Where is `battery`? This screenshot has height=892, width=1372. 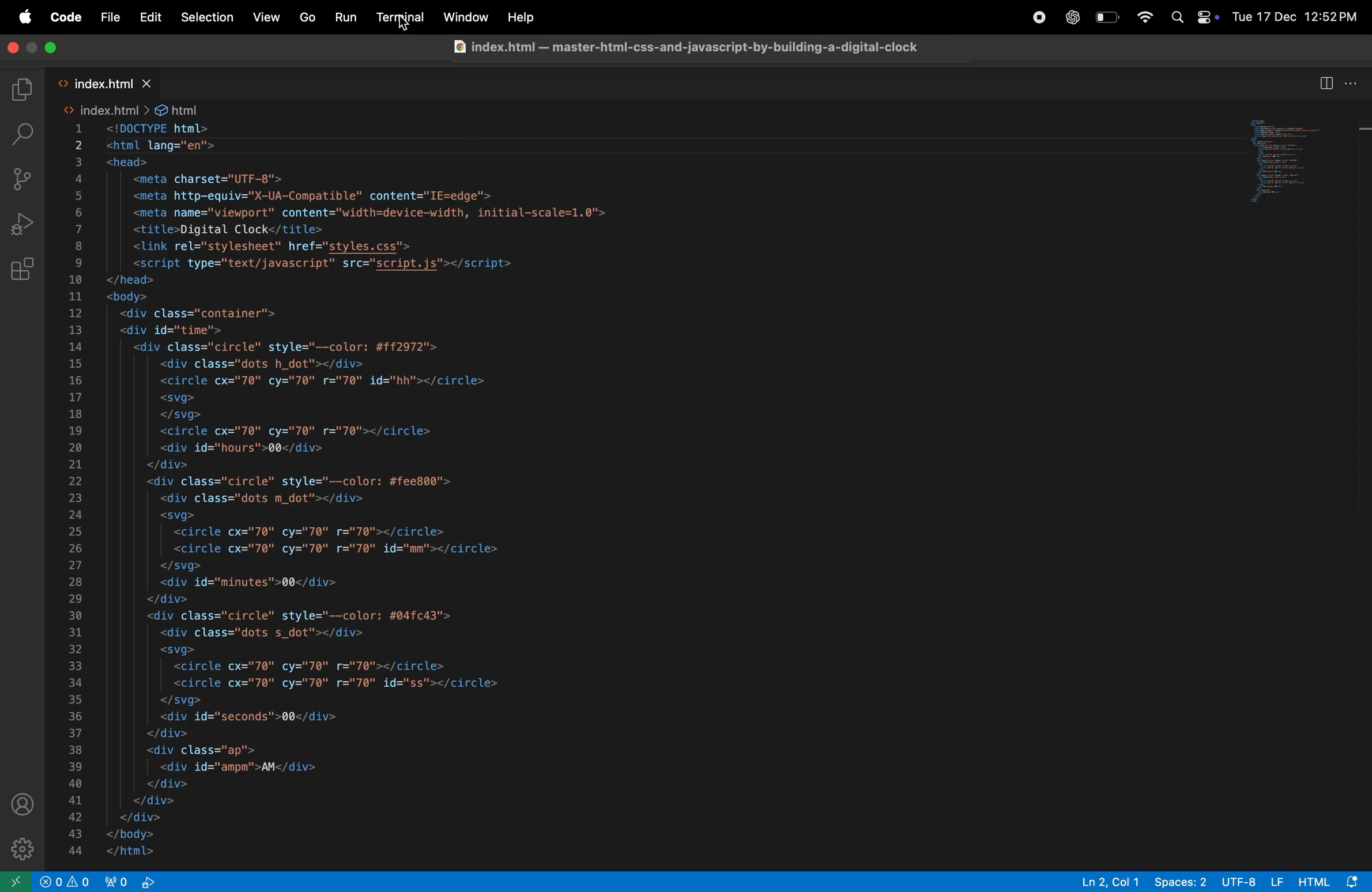
battery is located at coordinates (1106, 16).